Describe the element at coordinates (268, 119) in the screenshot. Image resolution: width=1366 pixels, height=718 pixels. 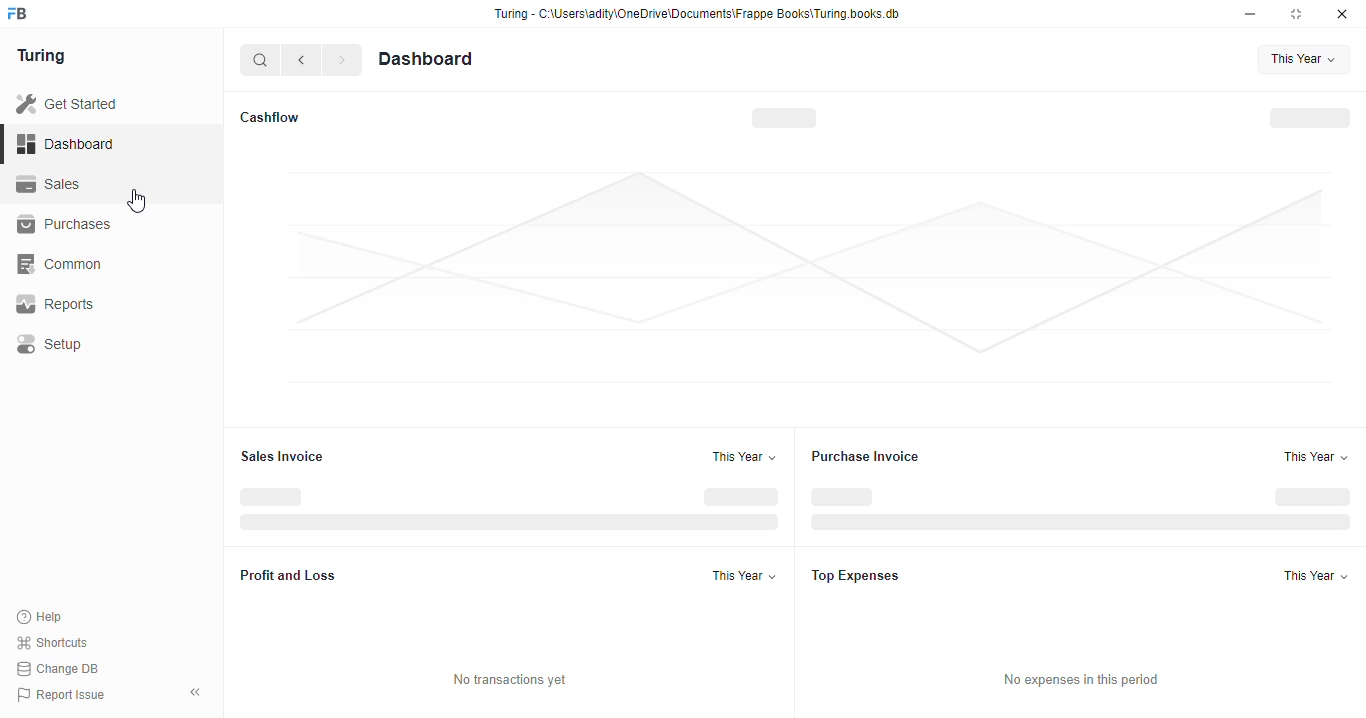
I see `Cashflow` at that location.